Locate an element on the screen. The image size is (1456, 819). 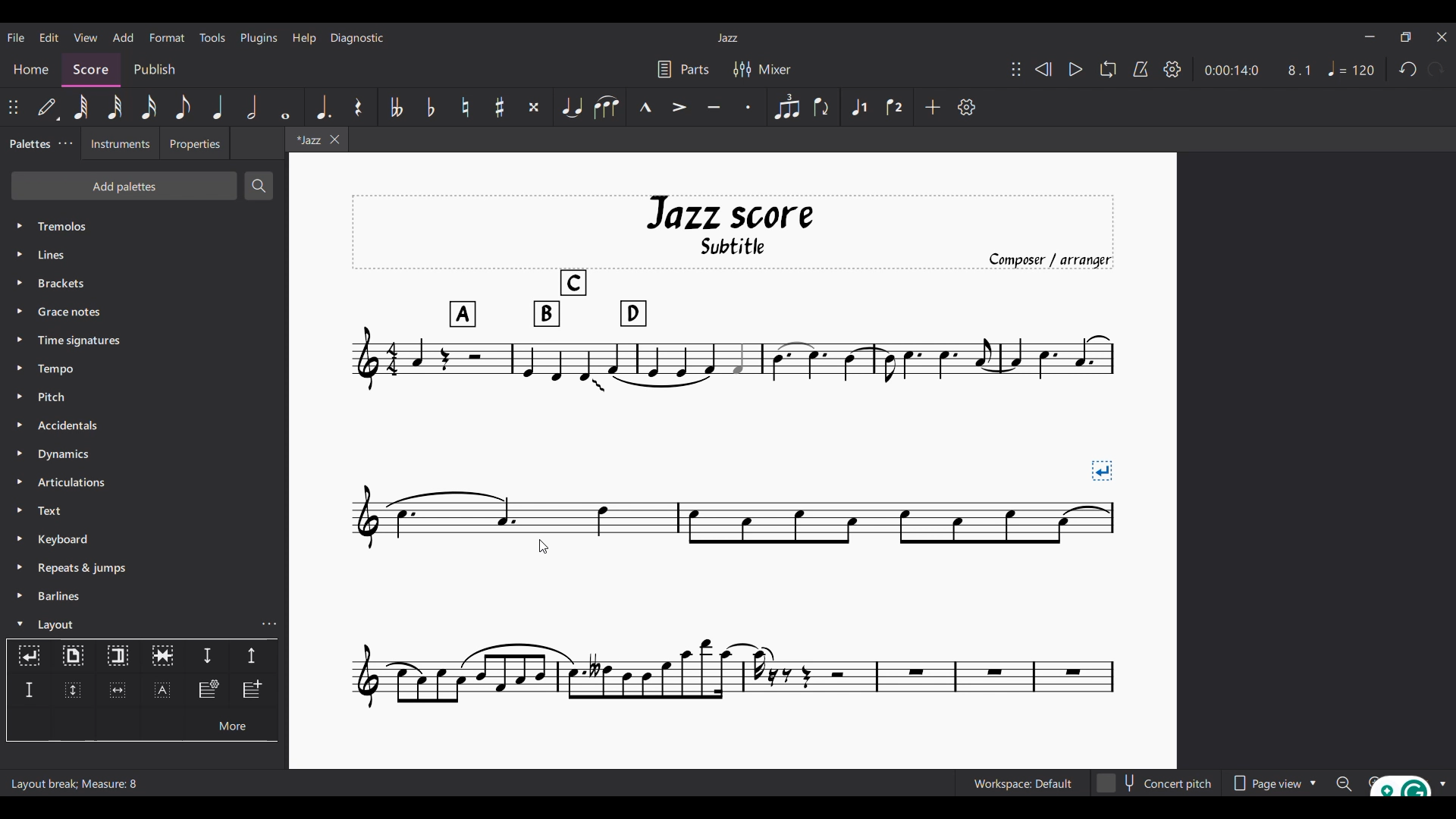
Add palettes is located at coordinates (124, 186).